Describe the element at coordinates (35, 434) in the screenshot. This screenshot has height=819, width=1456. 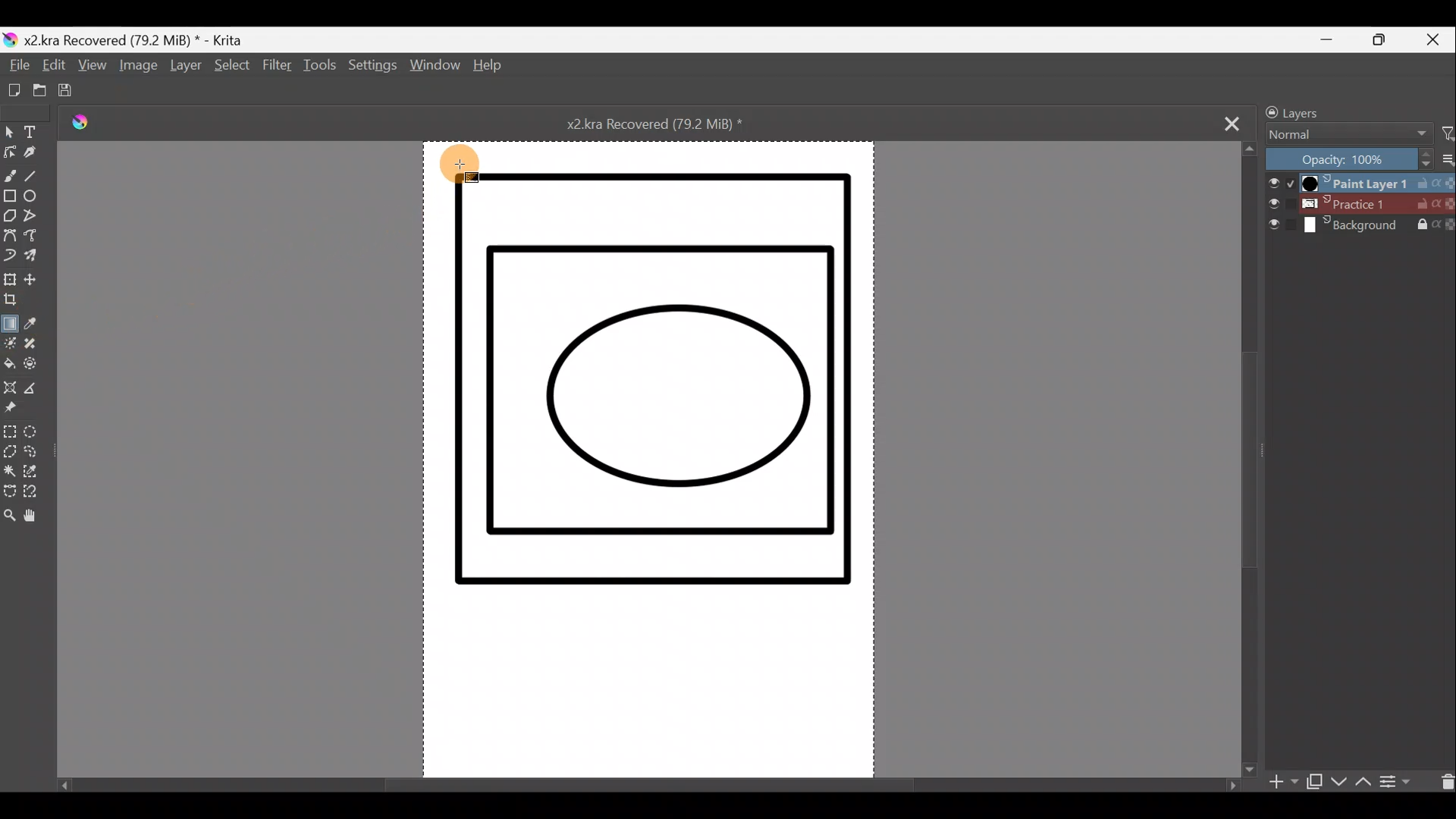
I see `Elliptical selection tool` at that location.